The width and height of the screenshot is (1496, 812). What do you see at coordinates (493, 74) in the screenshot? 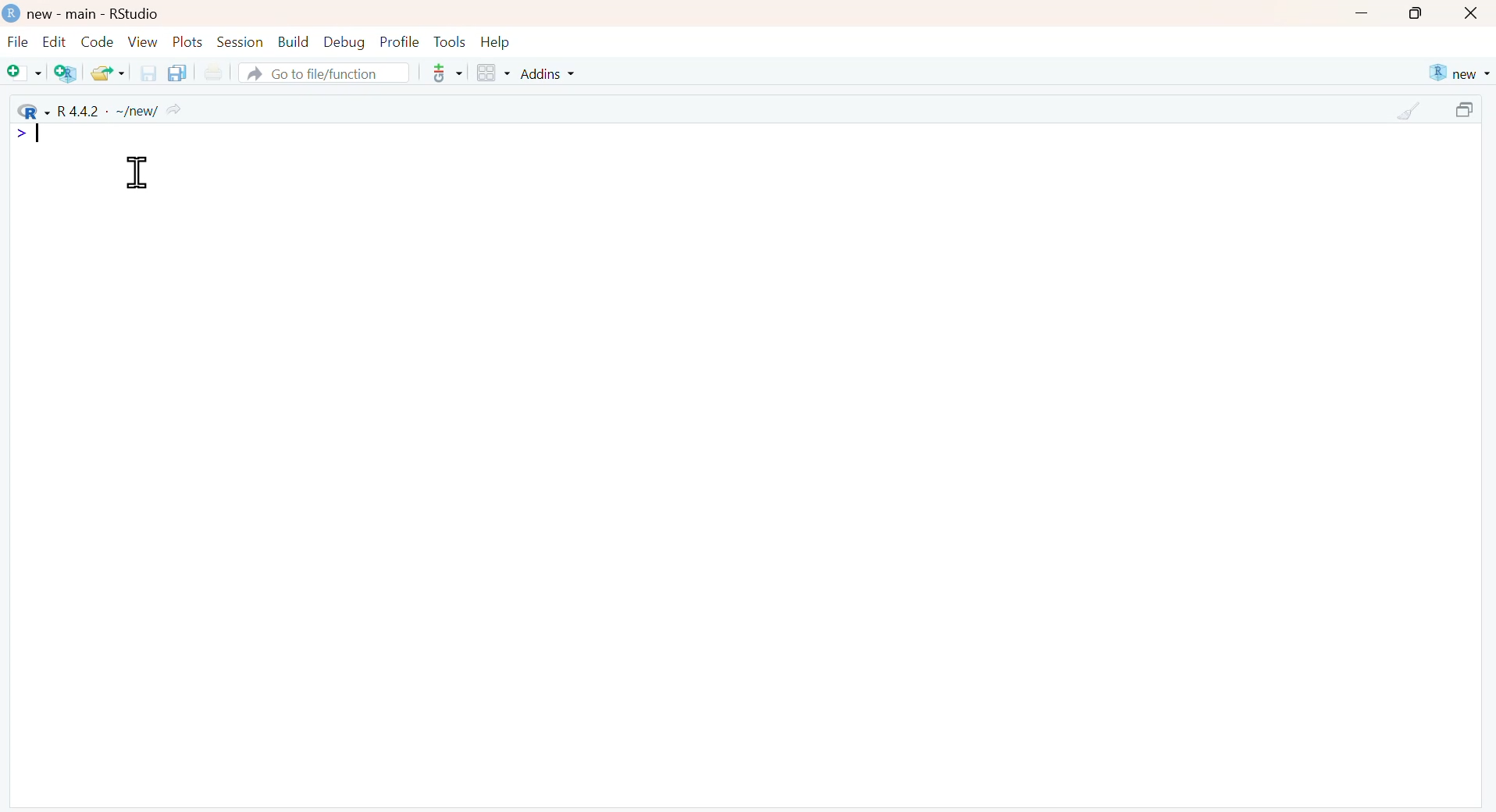
I see `Workspace panes` at bounding box center [493, 74].